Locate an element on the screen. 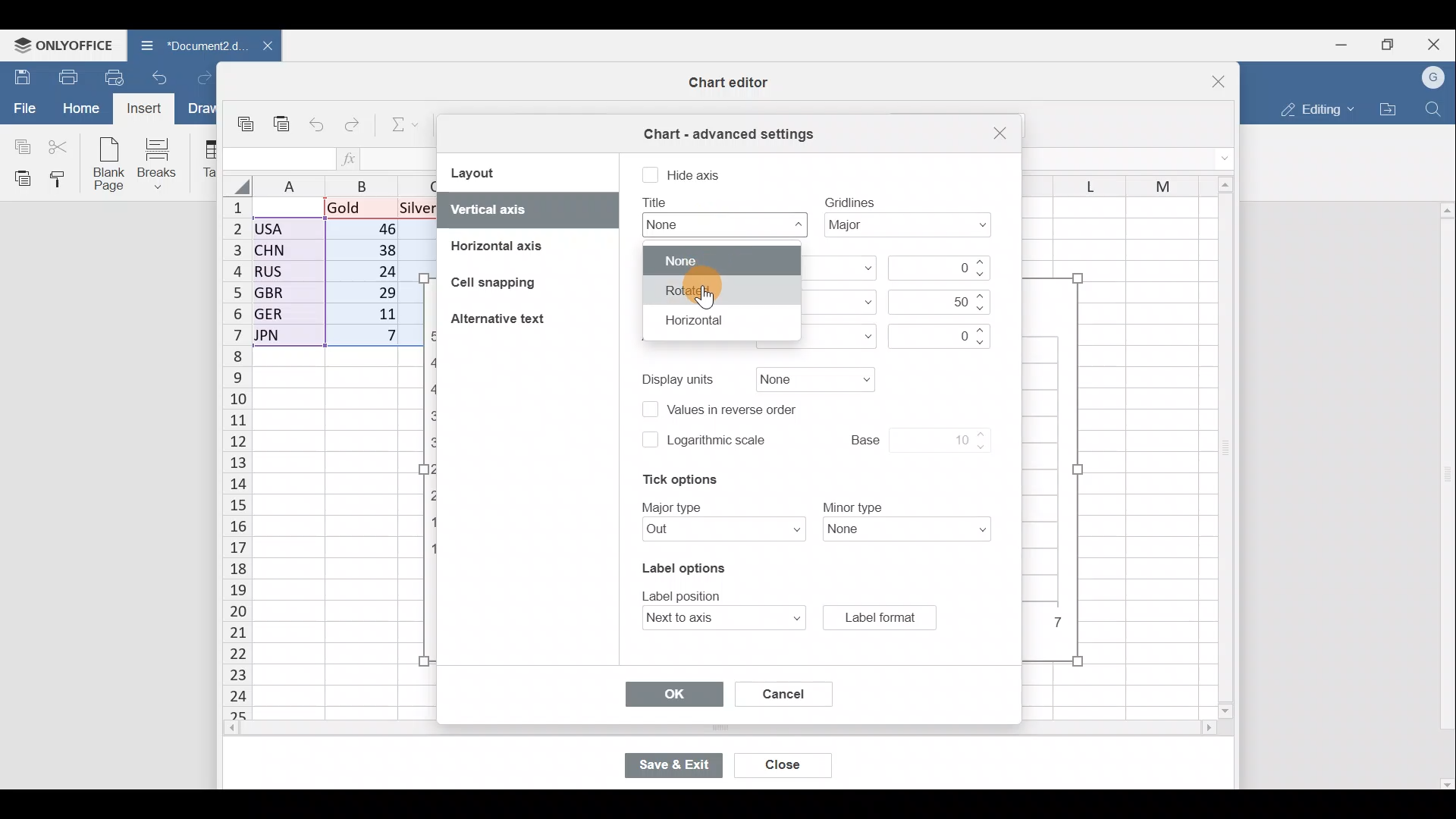  Cut is located at coordinates (61, 146).